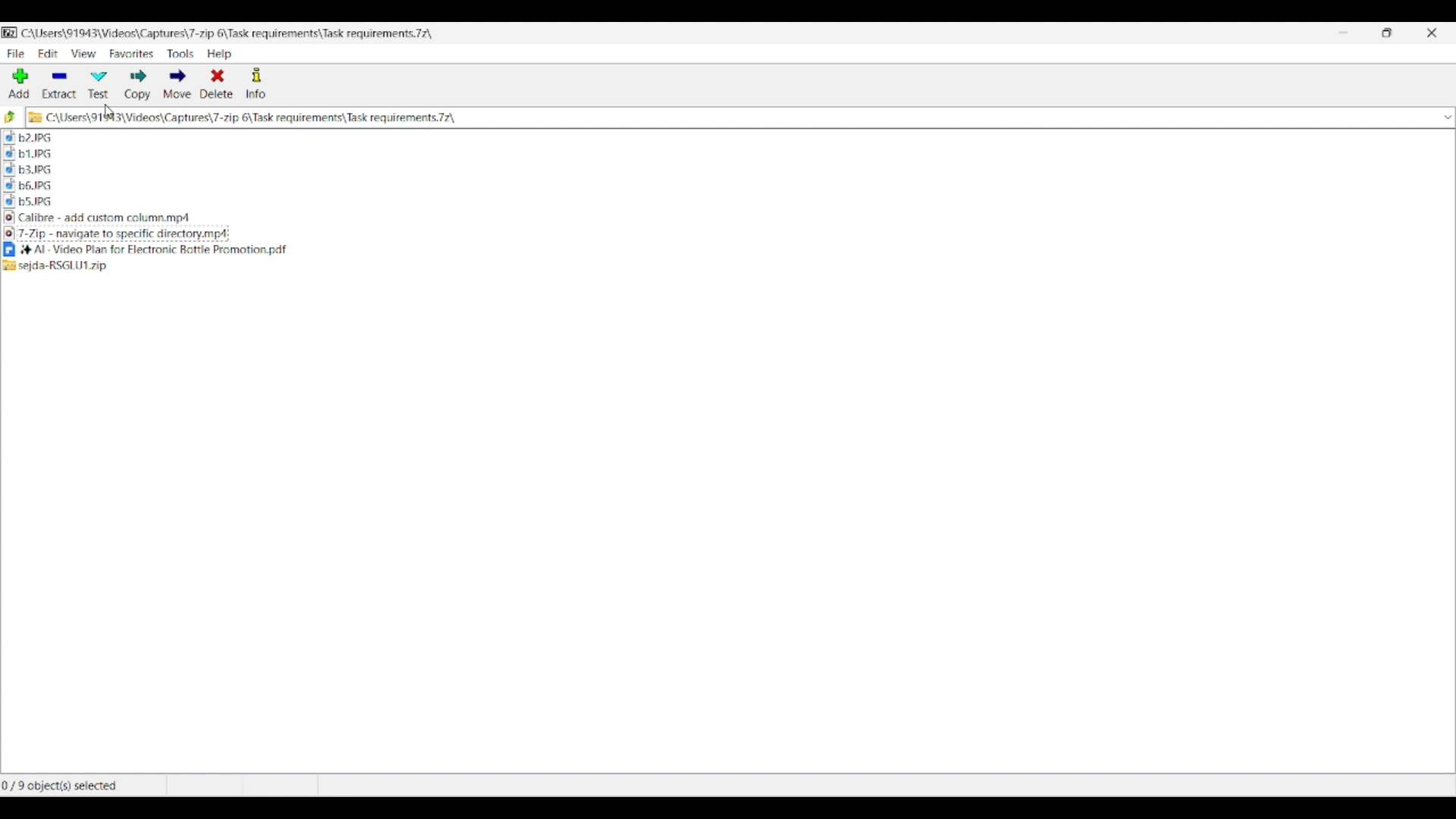 The image size is (1456, 819). I want to click on Favorites menu, so click(132, 54).